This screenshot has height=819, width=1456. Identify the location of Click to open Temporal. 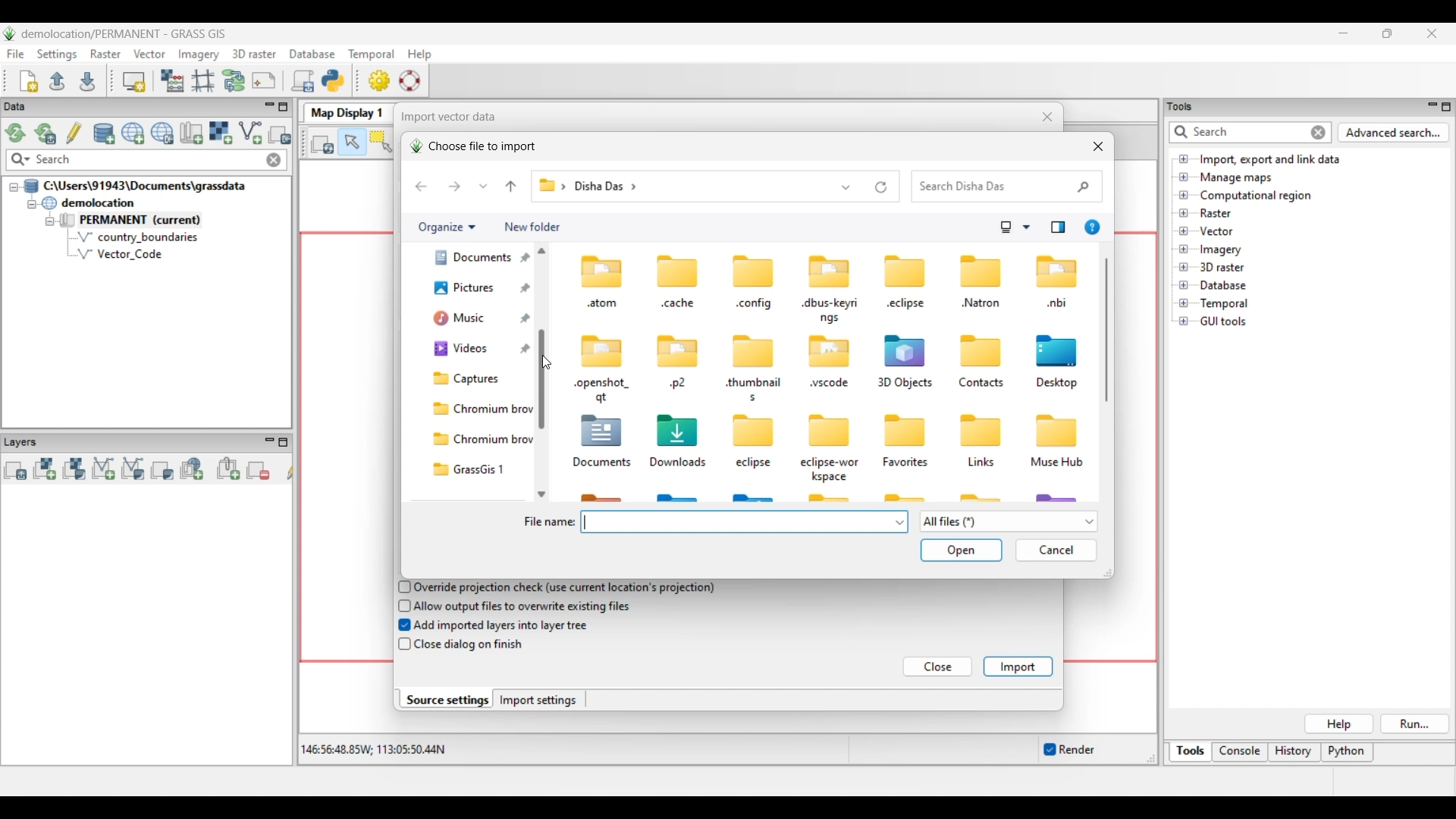
(1184, 303).